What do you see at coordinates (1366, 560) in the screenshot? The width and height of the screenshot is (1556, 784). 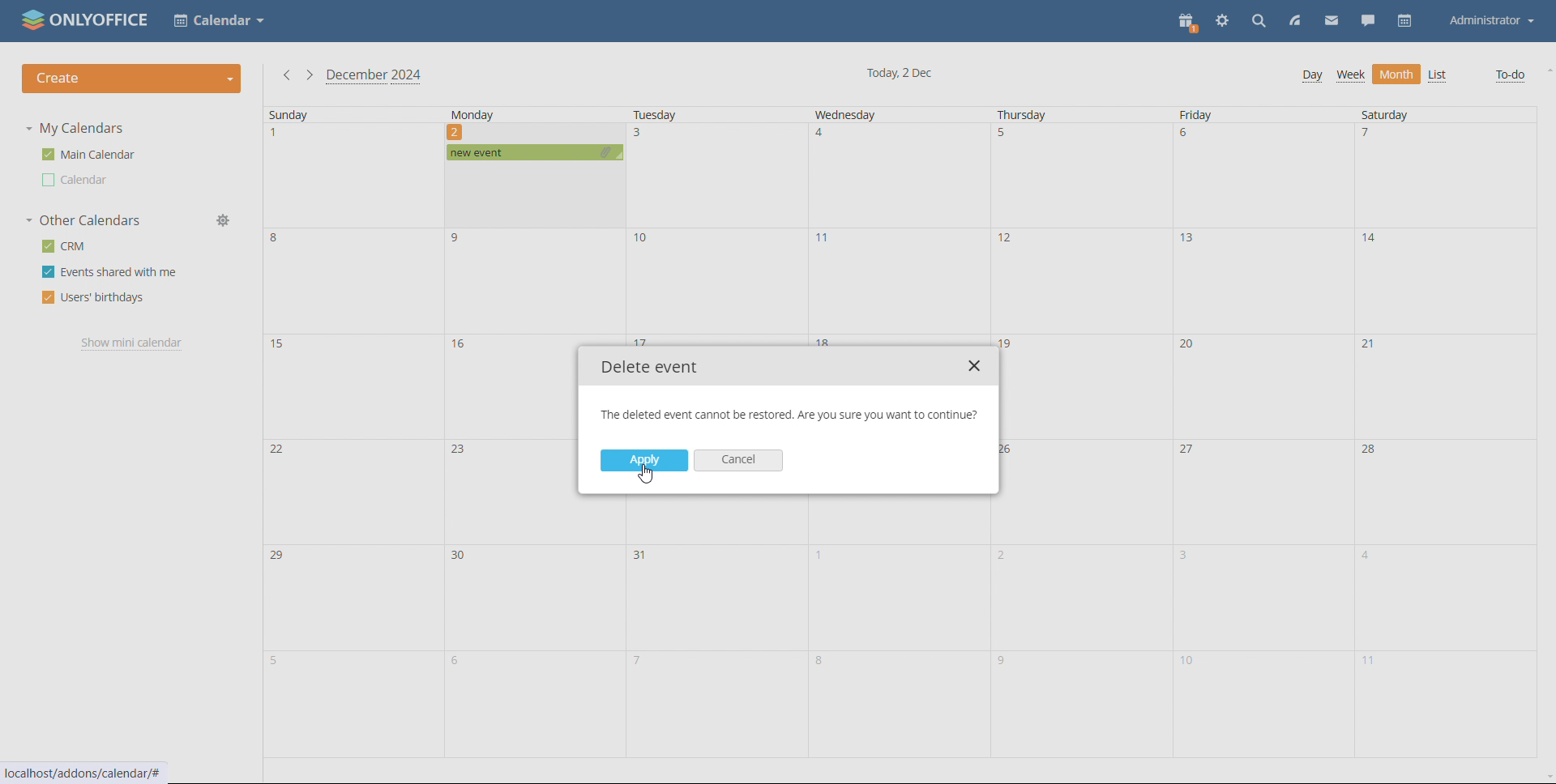 I see `4` at bounding box center [1366, 560].